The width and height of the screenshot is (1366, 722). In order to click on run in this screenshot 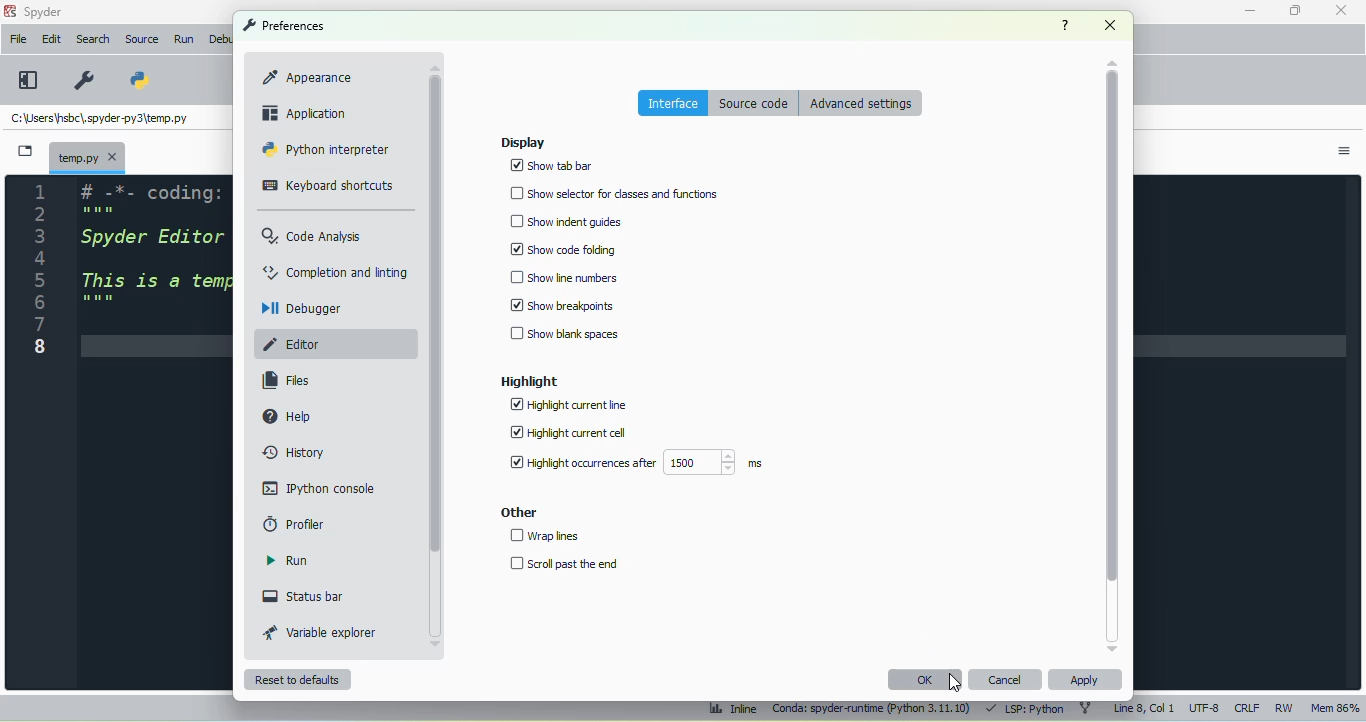, I will do `click(186, 40)`.